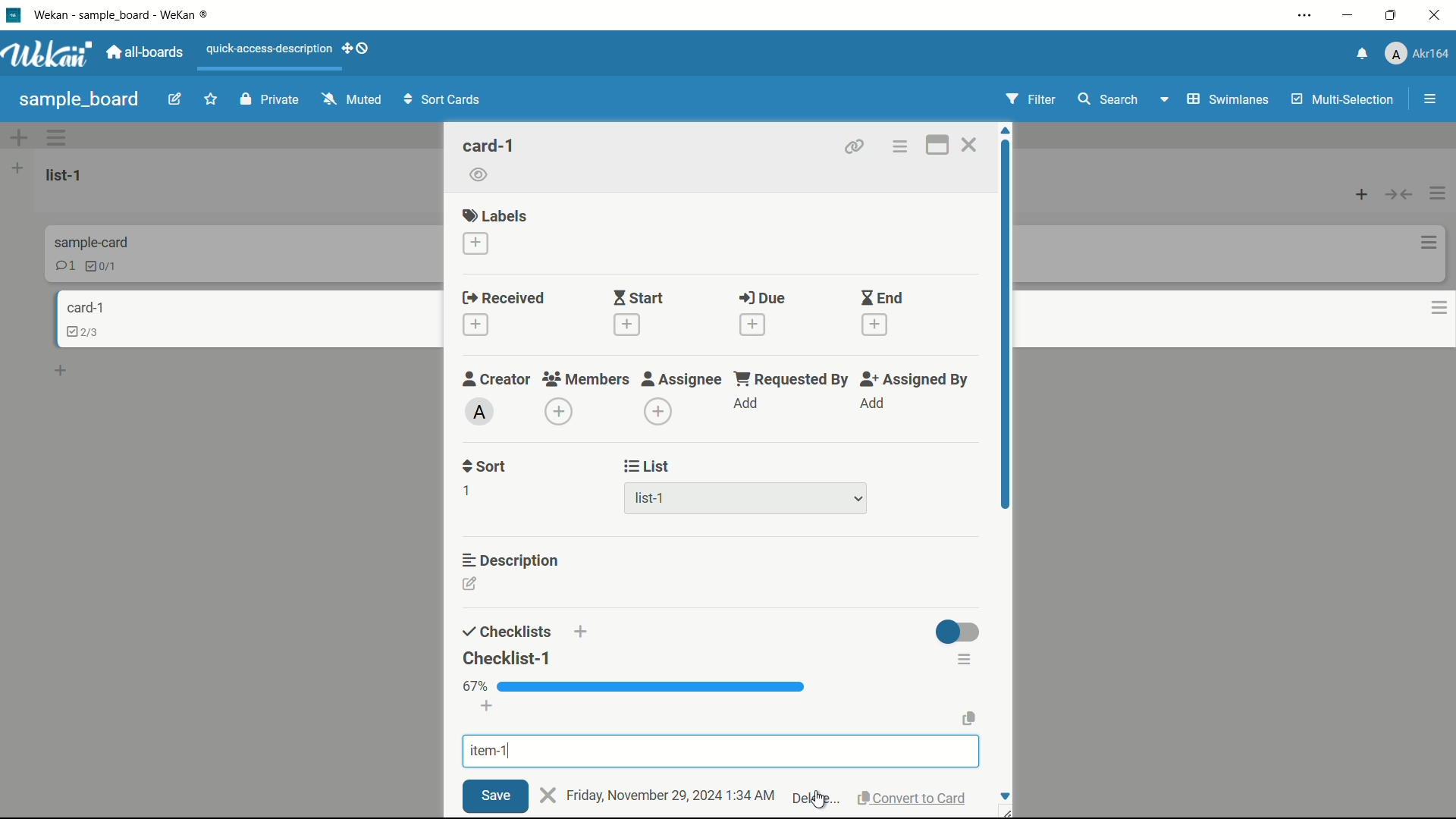 The height and width of the screenshot is (819, 1456). What do you see at coordinates (445, 101) in the screenshot?
I see `sort cards` at bounding box center [445, 101].